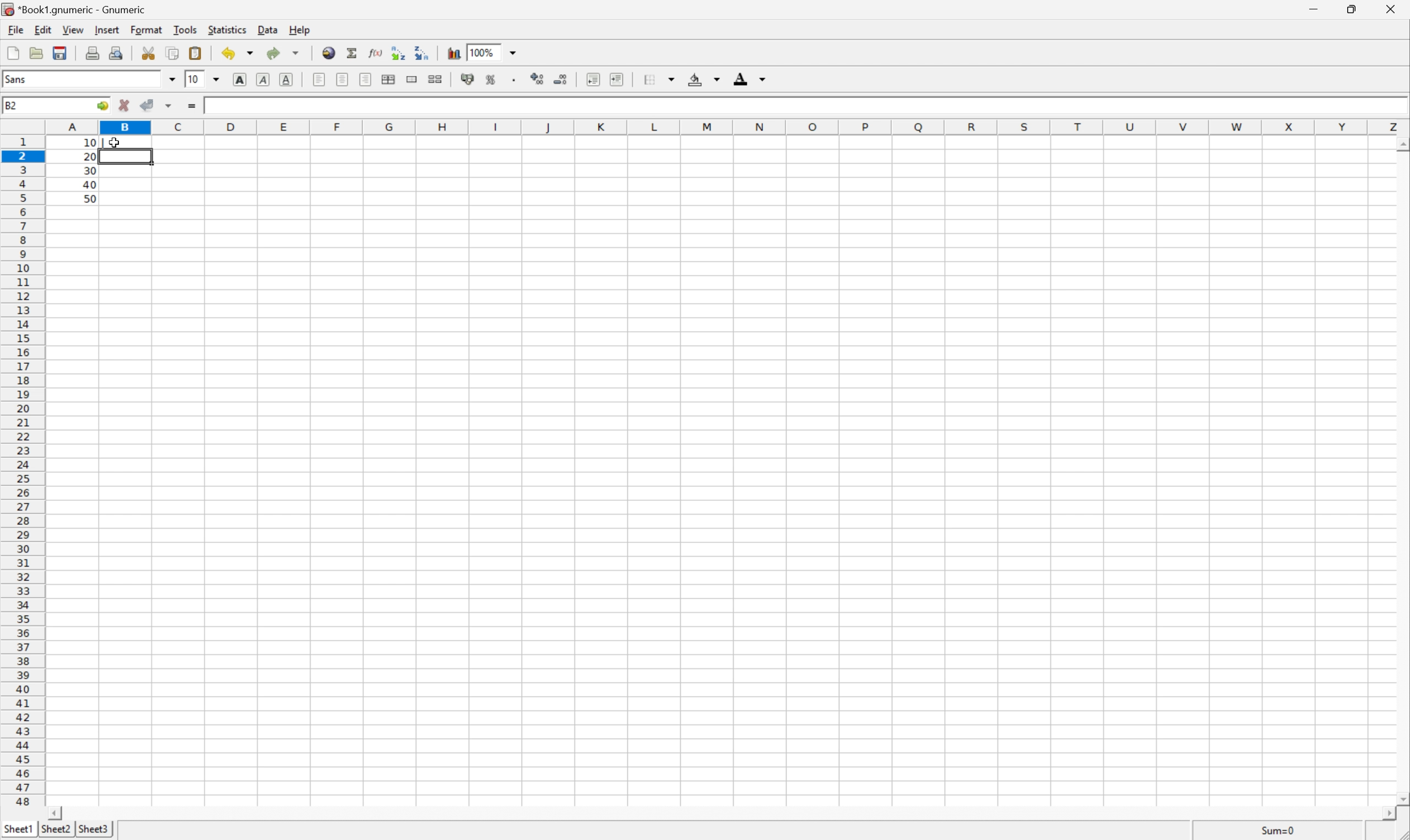  I want to click on Print current file, so click(93, 53).